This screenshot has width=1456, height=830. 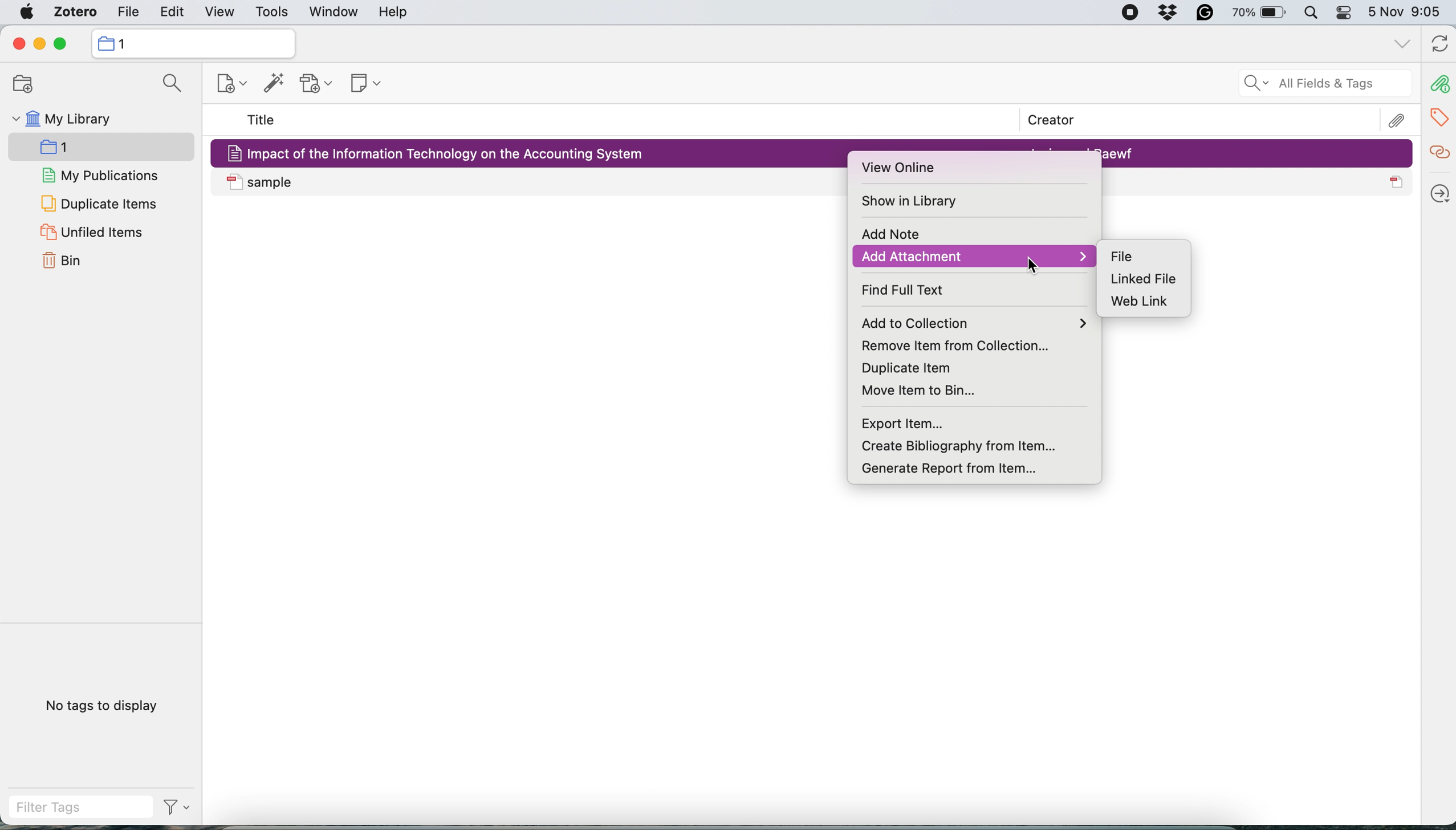 I want to click on Impact of the Information Technology on the Accounting System  Jasim and Raewf, so click(x=531, y=152).